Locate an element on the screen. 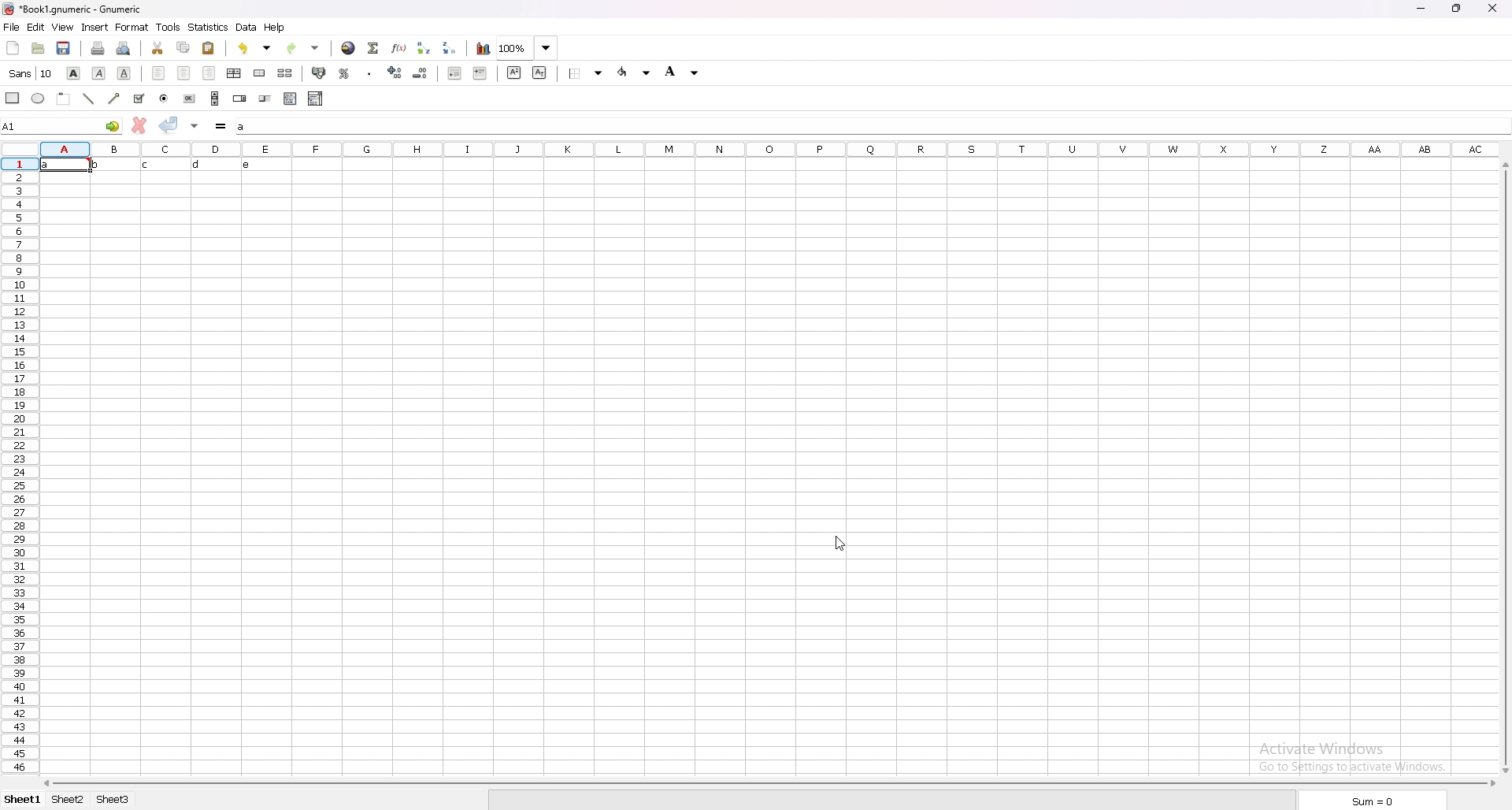  new is located at coordinates (12, 47).